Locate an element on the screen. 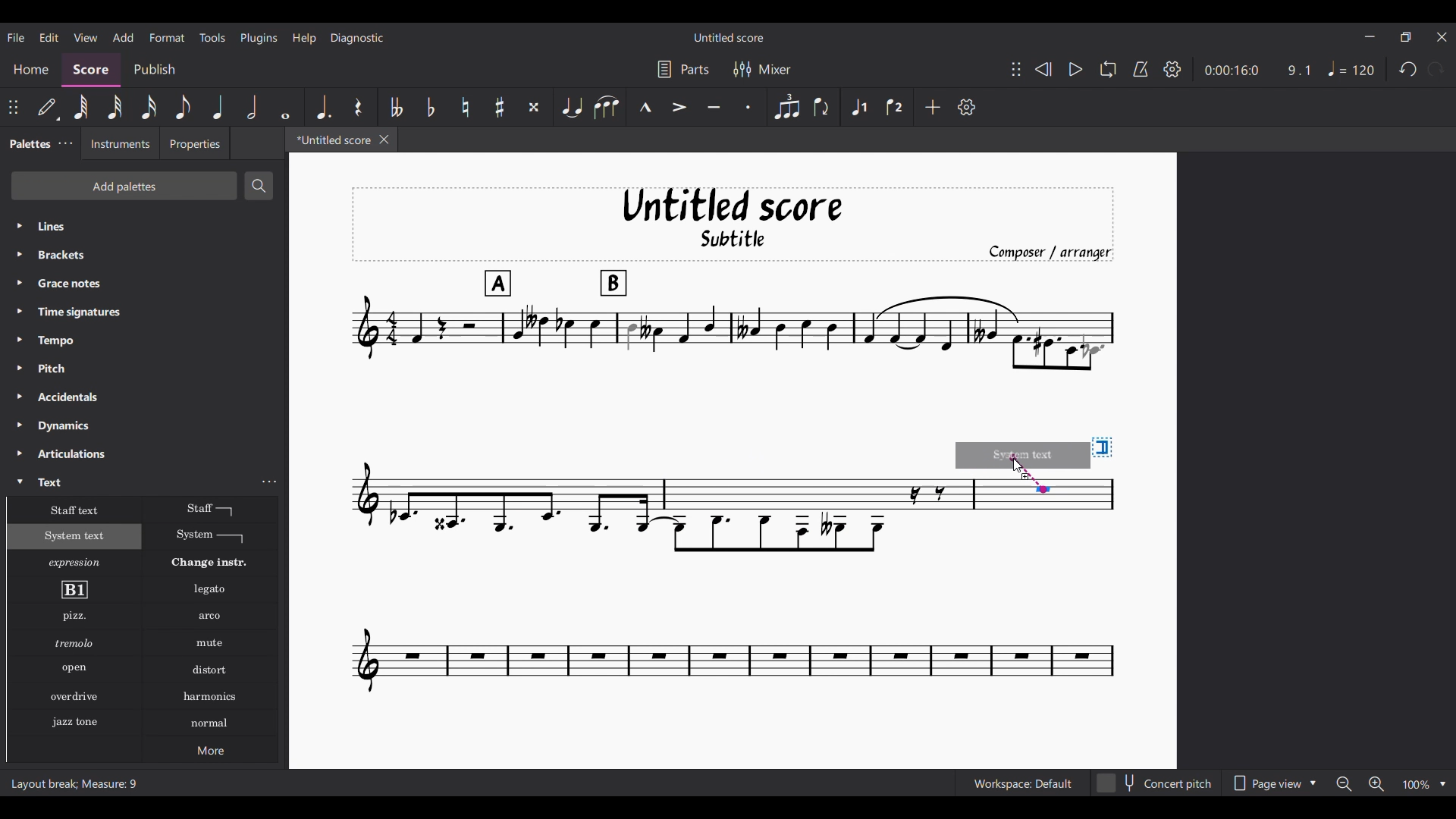 The height and width of the screenshot is (819, 1456). Mute is located at coordinates (210, 643).